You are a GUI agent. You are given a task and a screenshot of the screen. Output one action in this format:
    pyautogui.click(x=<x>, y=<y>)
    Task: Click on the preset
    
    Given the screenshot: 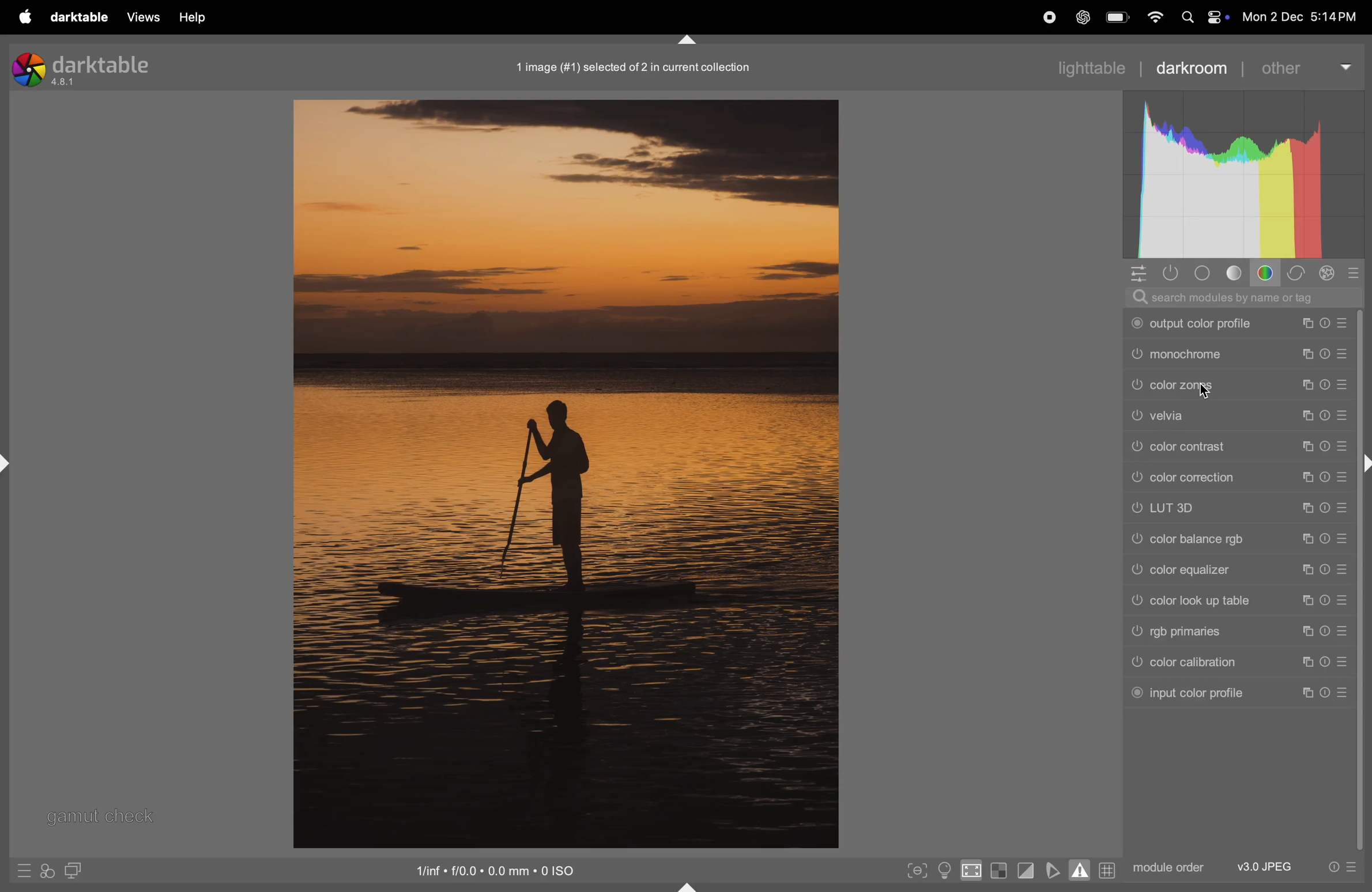 What is the action you would take?
    pyautogui.click(x=1324, y=354)
    